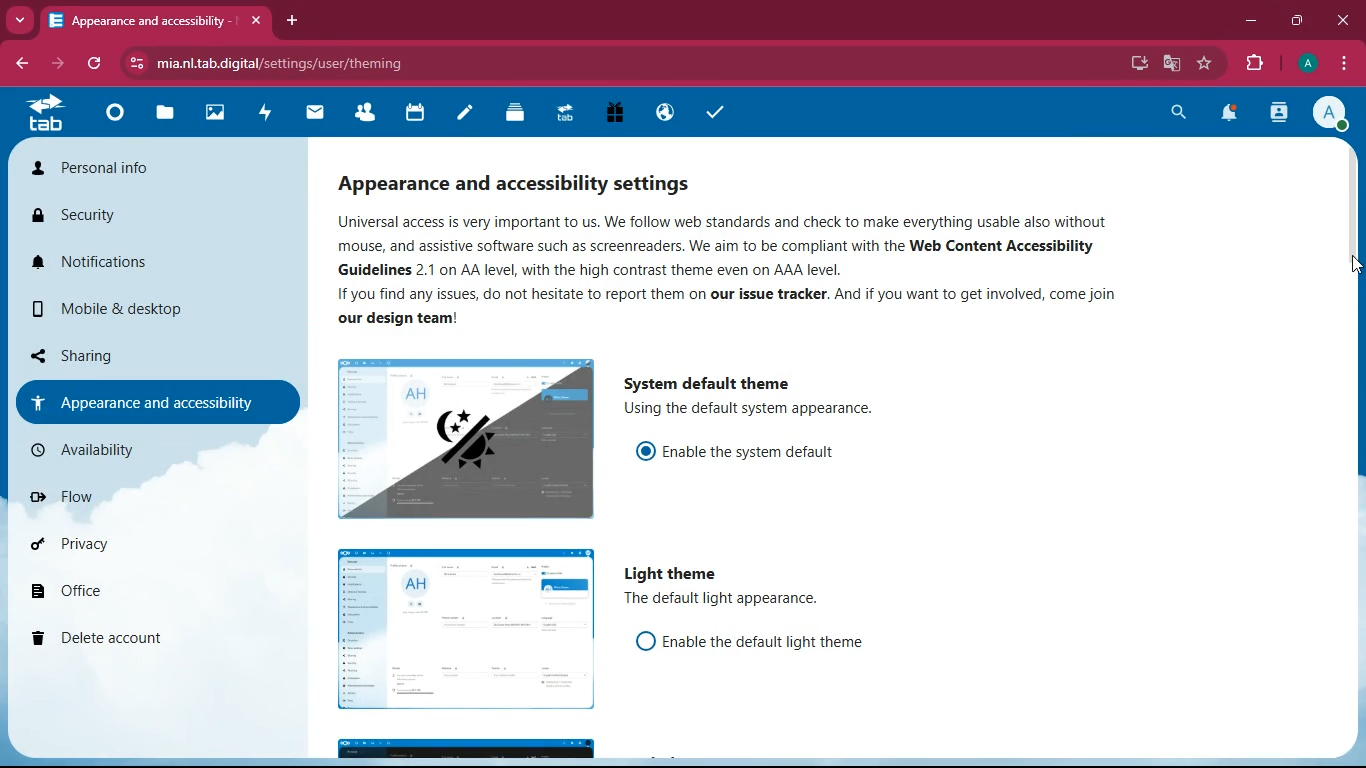  I want to click on mail, so click(316, 115).